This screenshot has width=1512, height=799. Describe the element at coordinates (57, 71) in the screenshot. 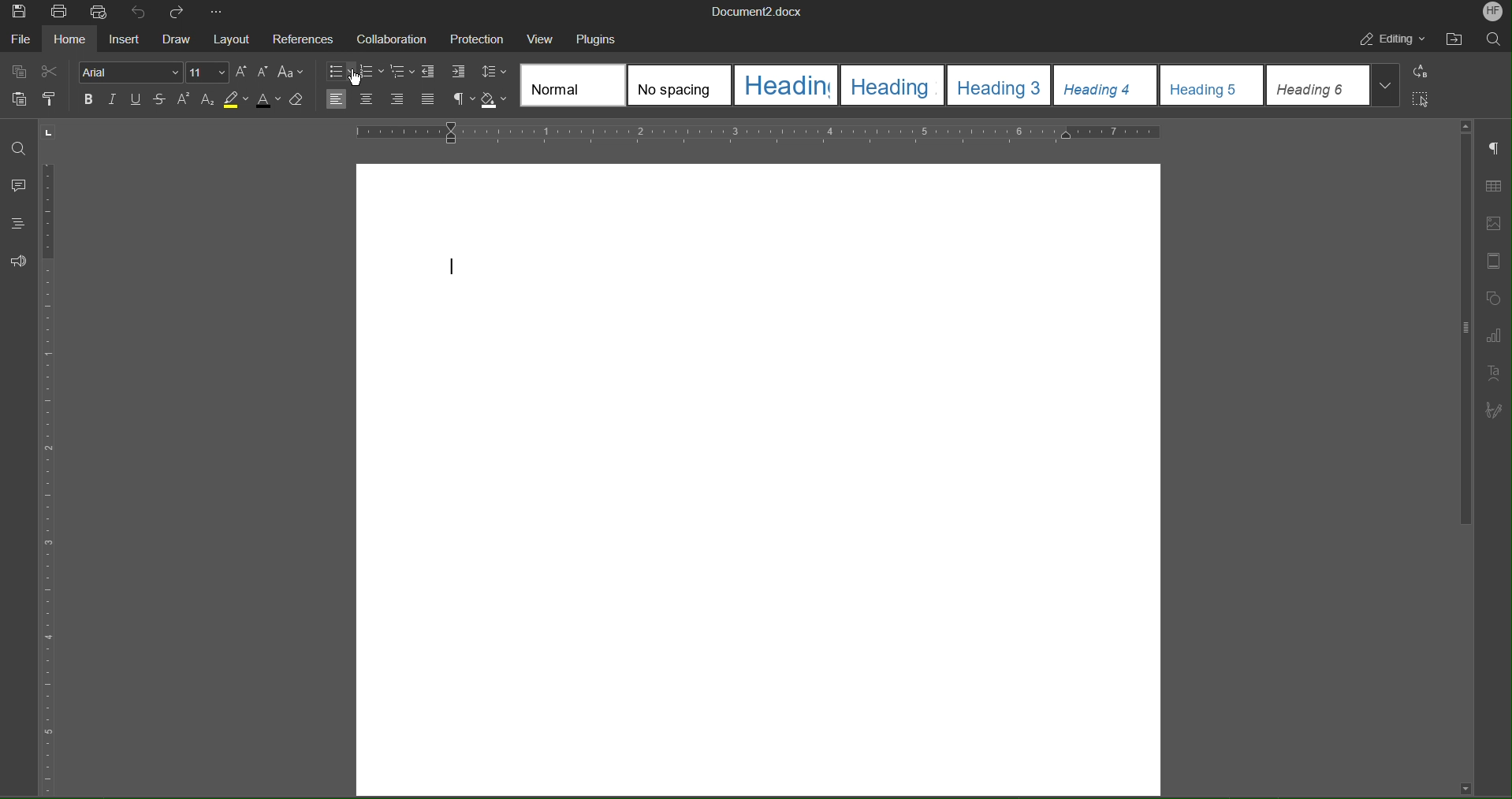

I see `Cut` at that location.